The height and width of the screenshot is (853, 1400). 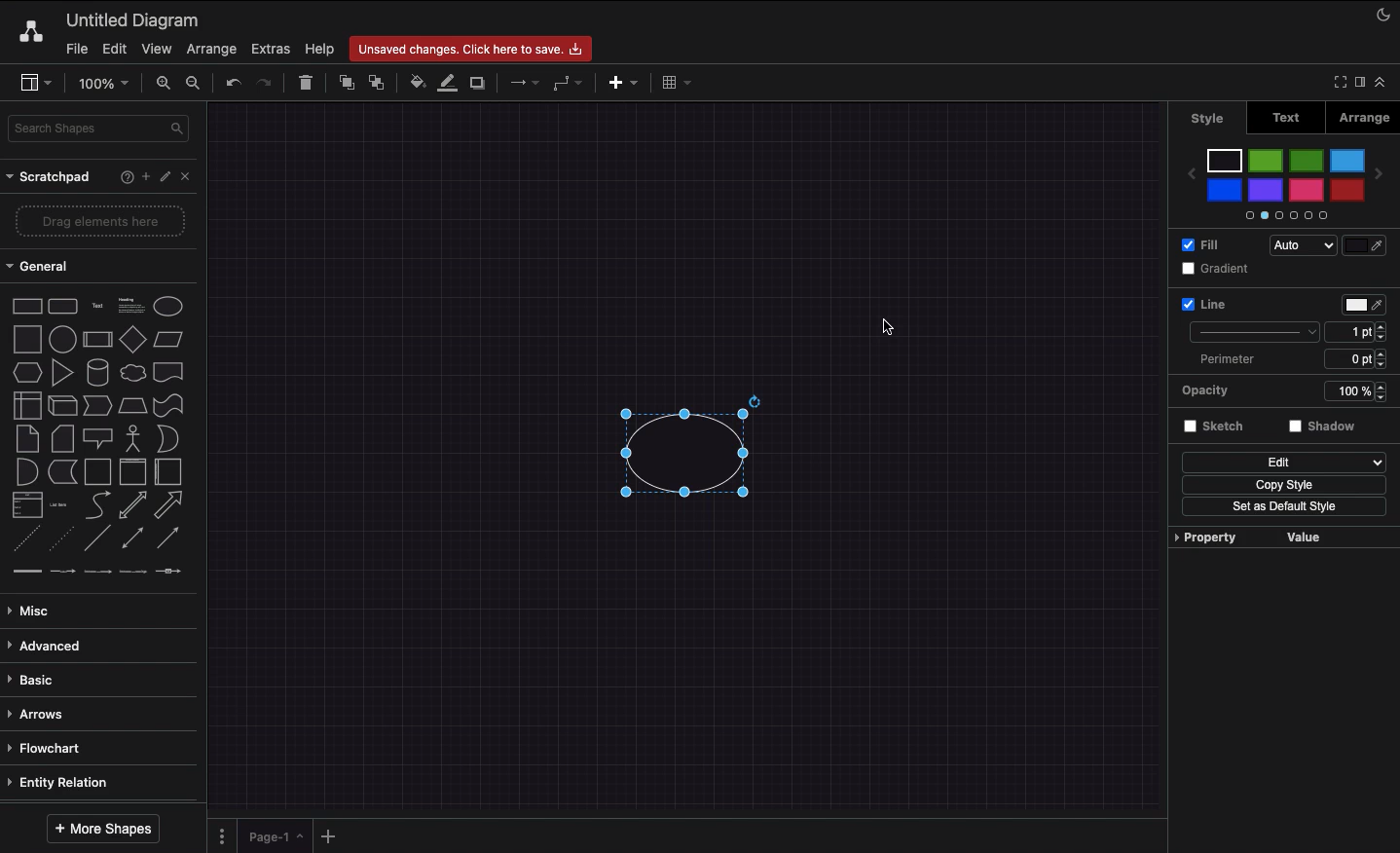 What do you see at coordinates (1355, 330) in the screenshot?
I see `1 pt` at bounding box center [1355, 330].